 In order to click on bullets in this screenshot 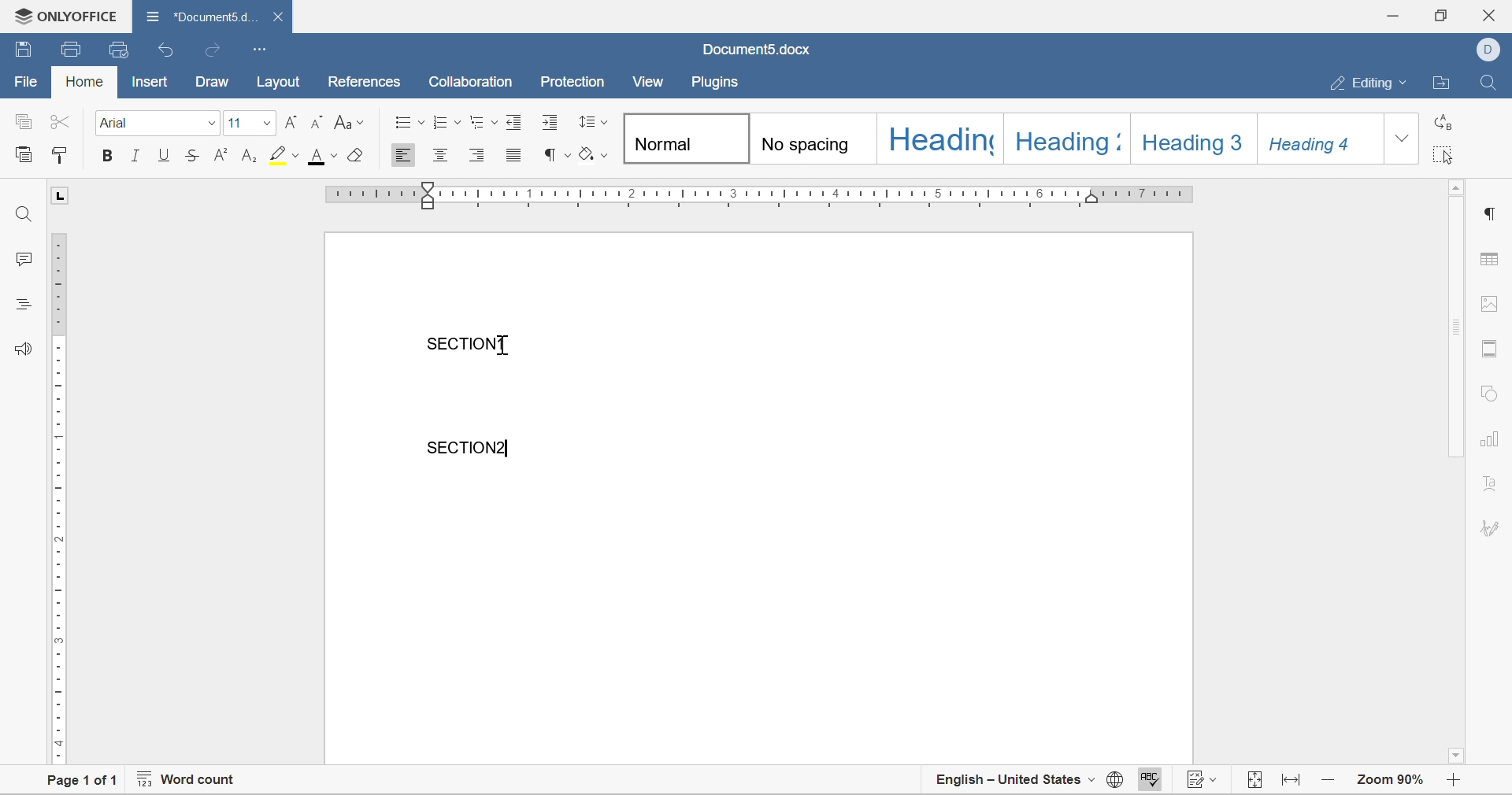, I will do `click(411, 121)`.